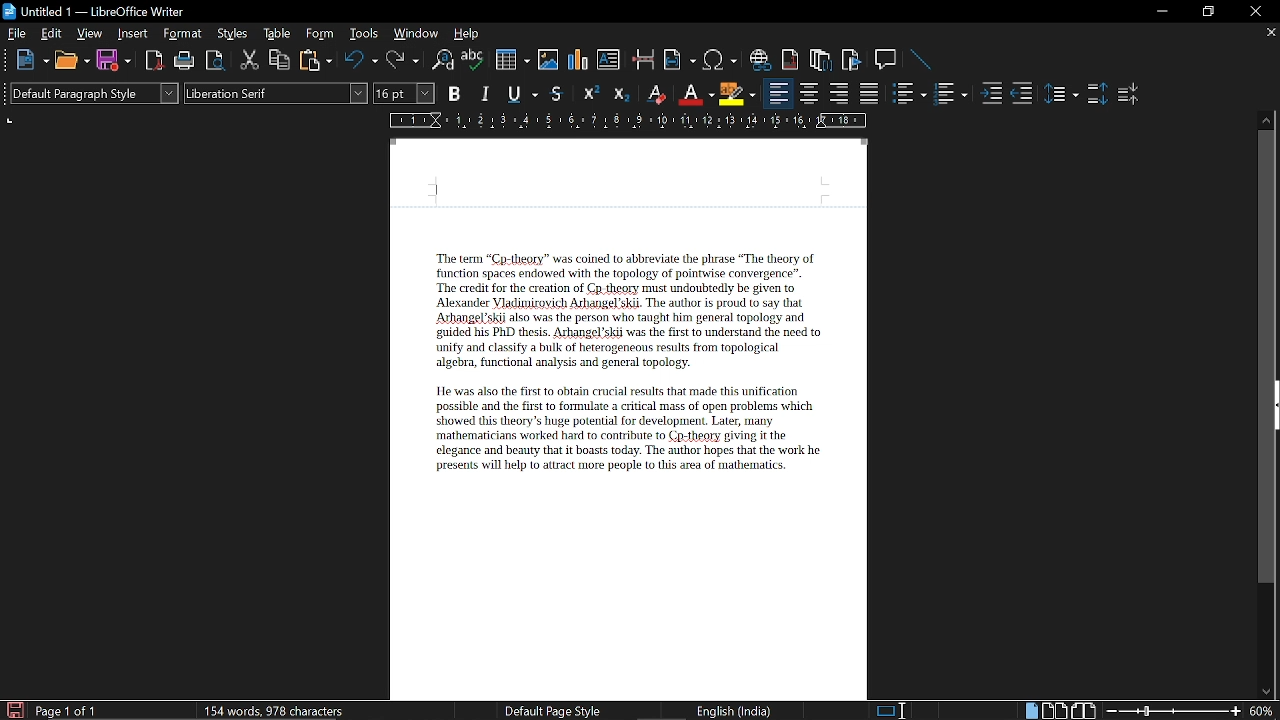  I want to click on Insert field, so click(680, 61).